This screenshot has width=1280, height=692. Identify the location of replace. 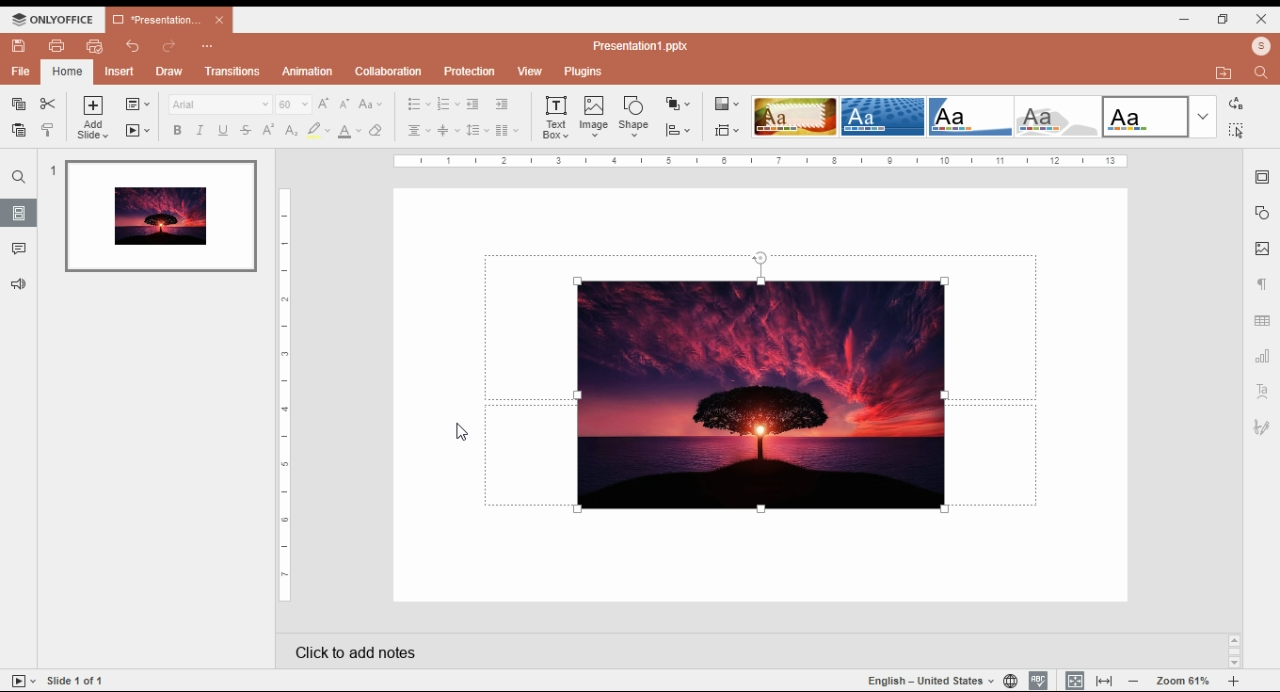
(1235, 104).